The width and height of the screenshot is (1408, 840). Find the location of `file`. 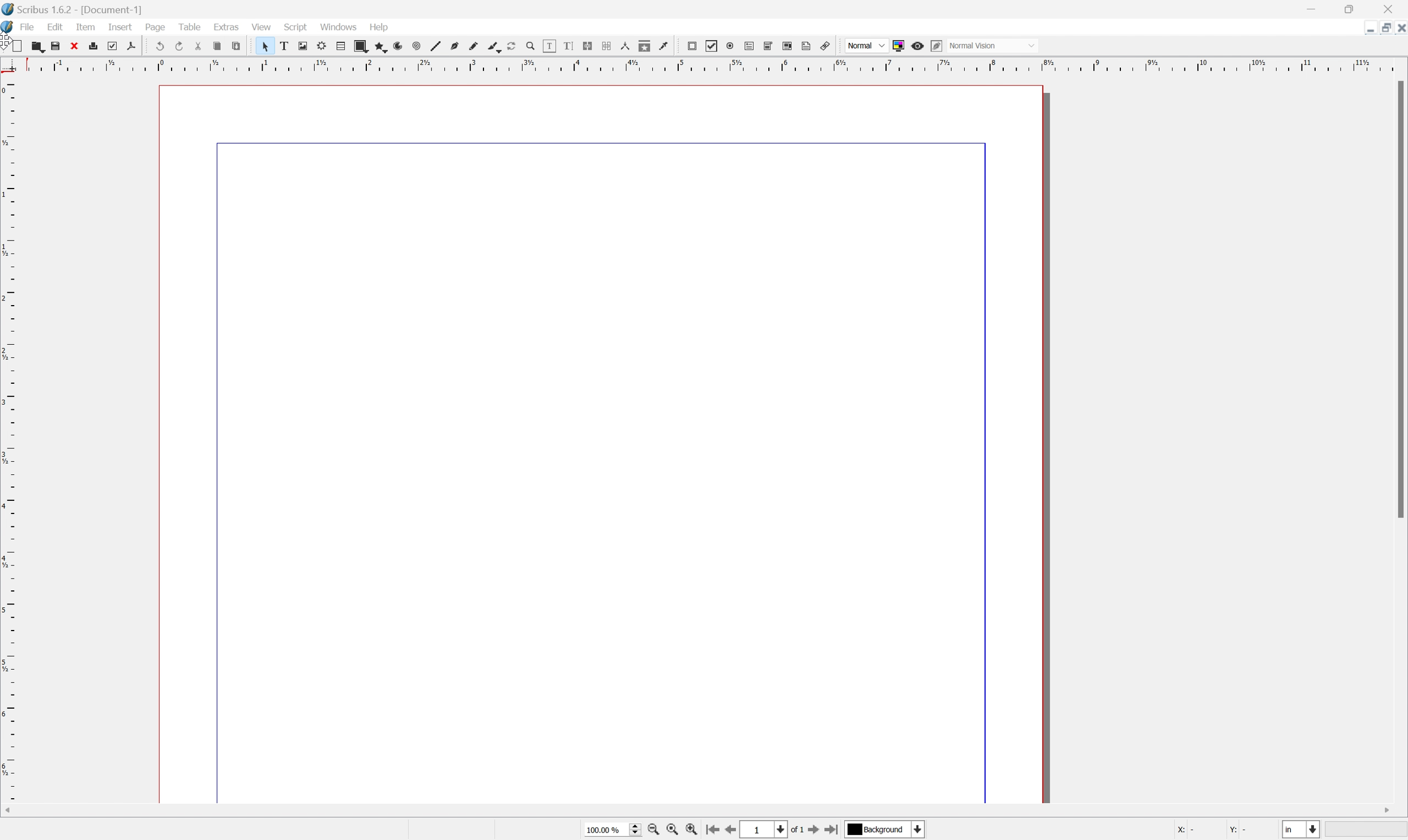

file is located at coordinates (29, 27).